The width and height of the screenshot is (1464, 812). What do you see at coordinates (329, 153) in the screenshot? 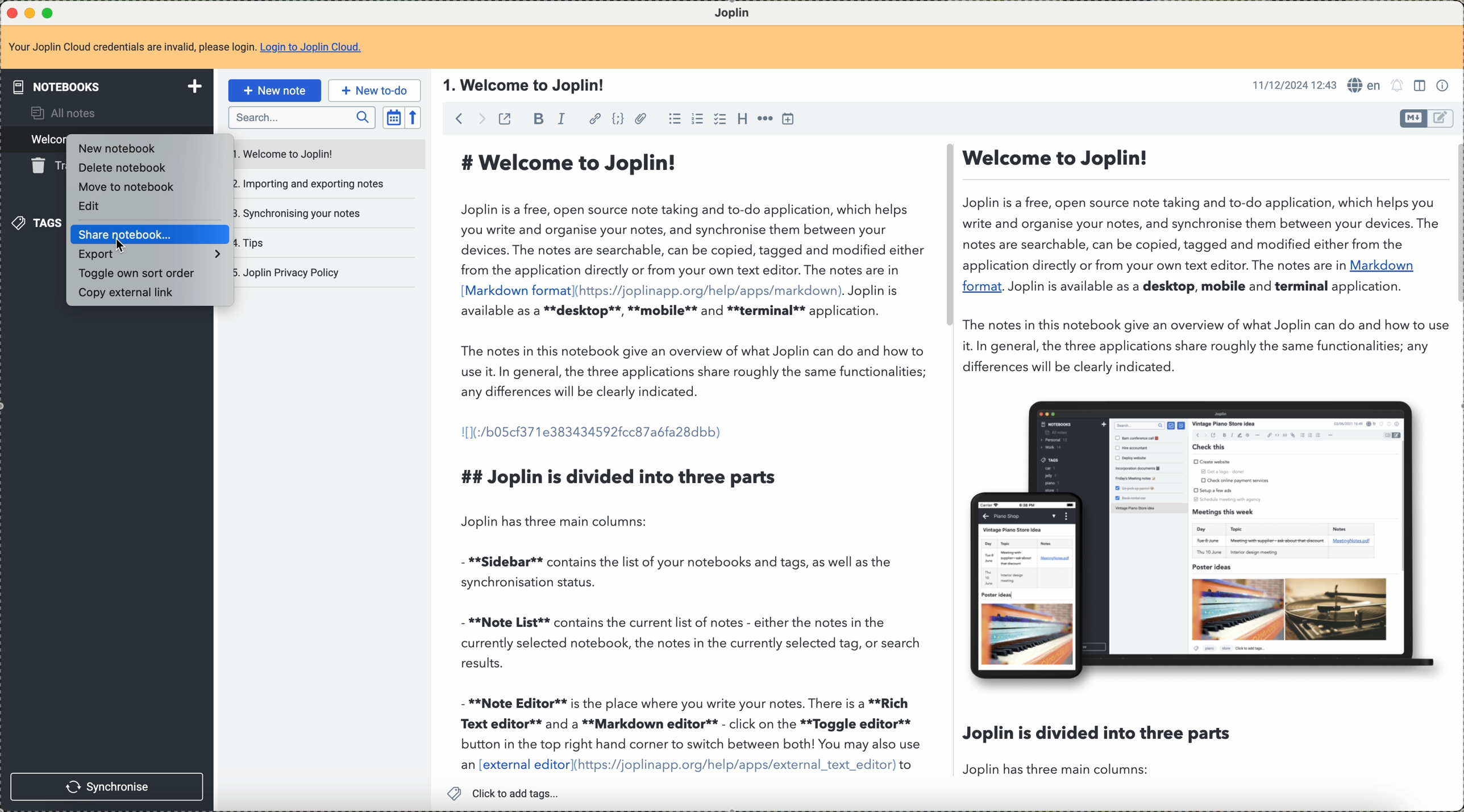
I see `welcome to Joplin note` at bounding box center [329, 153].